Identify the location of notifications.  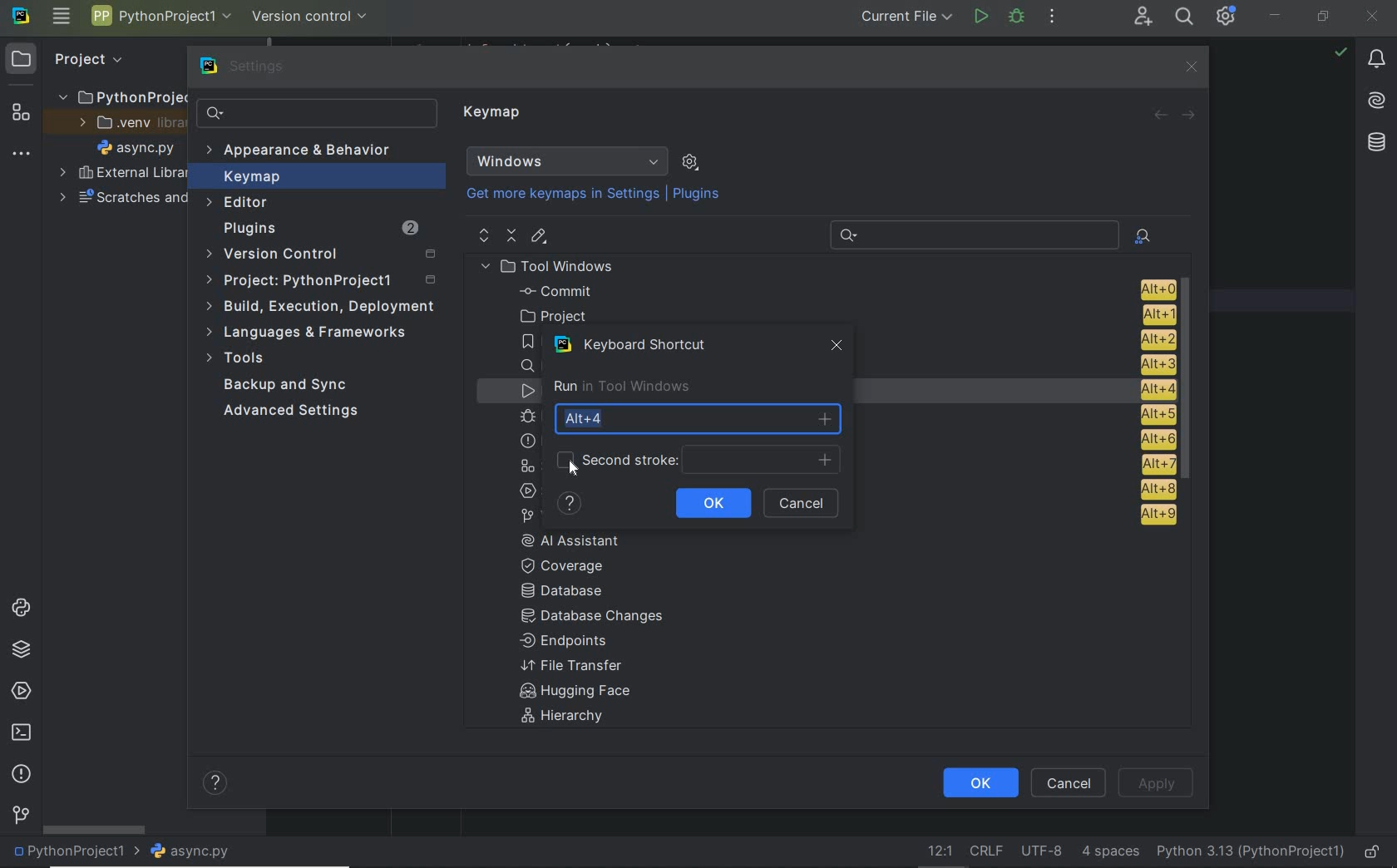
(1377, 60).